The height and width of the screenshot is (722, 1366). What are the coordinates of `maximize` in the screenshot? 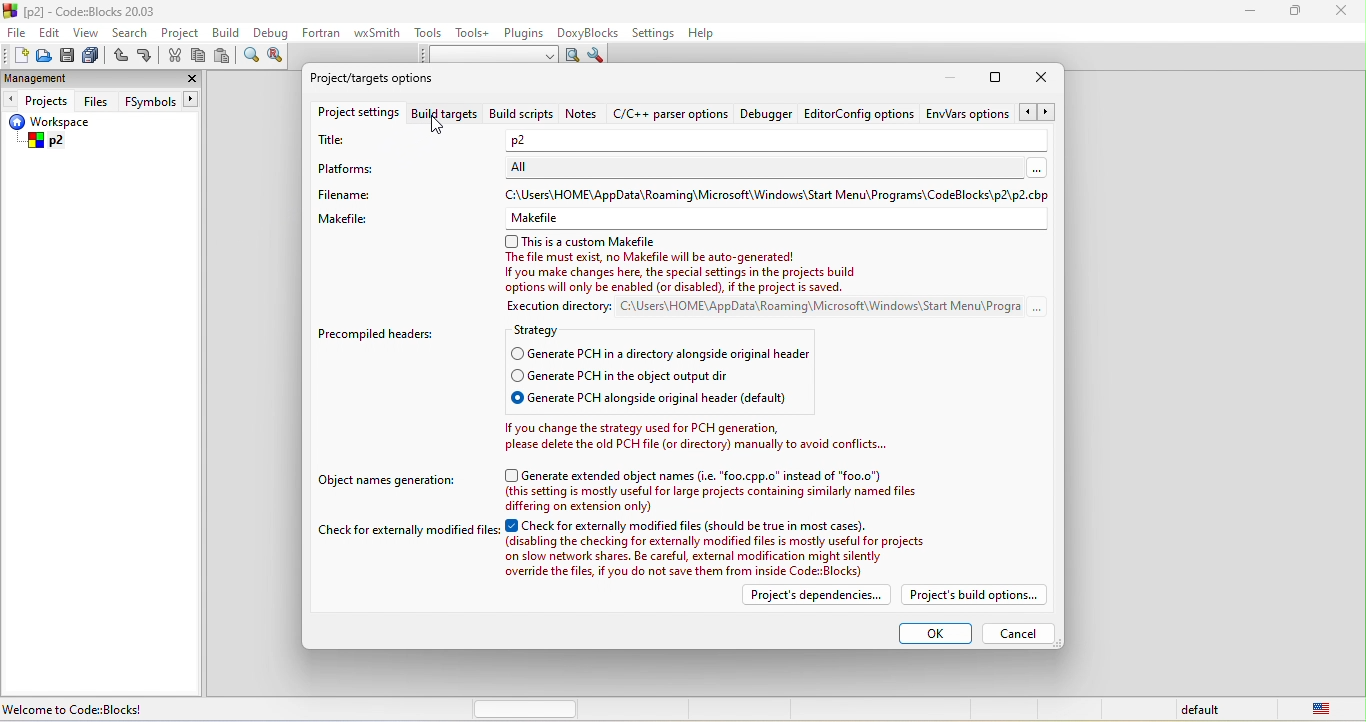 It's located at (1296, 15).